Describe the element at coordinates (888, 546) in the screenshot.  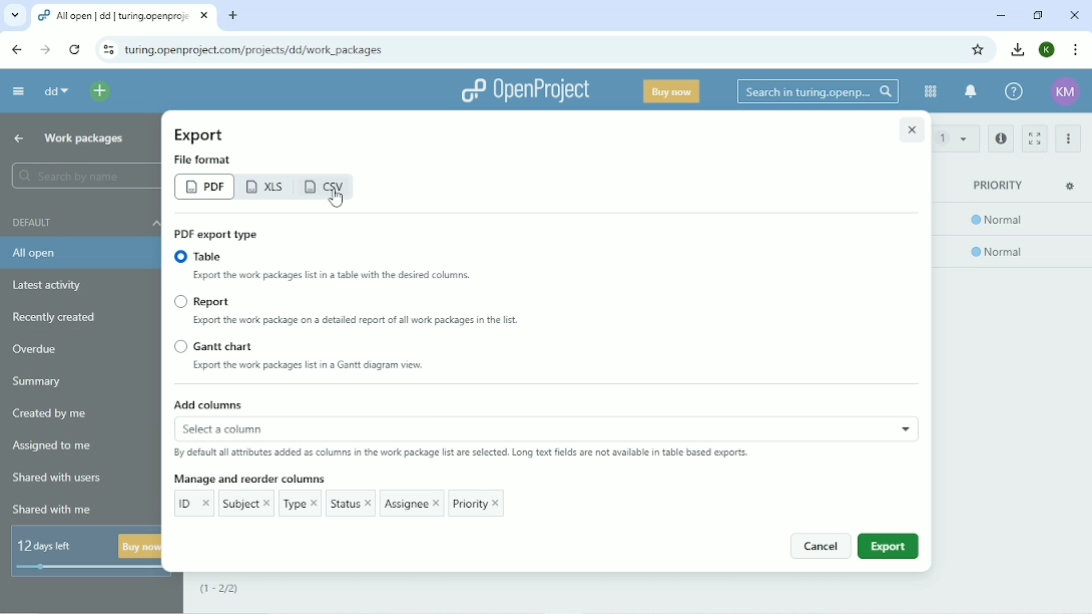
I see `Export` at that location.